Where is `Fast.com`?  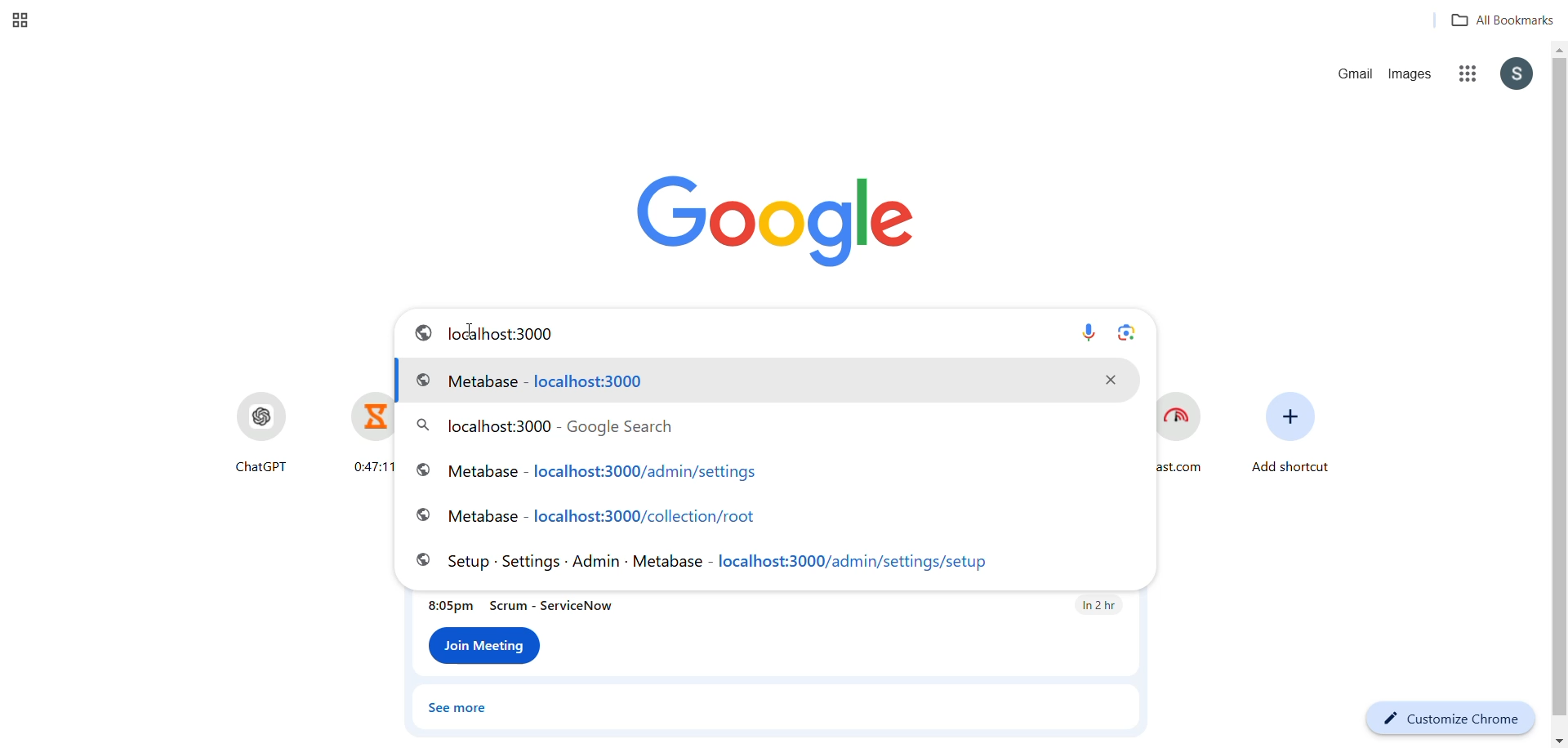
Fast.com is located at coordinates (1187, 436).